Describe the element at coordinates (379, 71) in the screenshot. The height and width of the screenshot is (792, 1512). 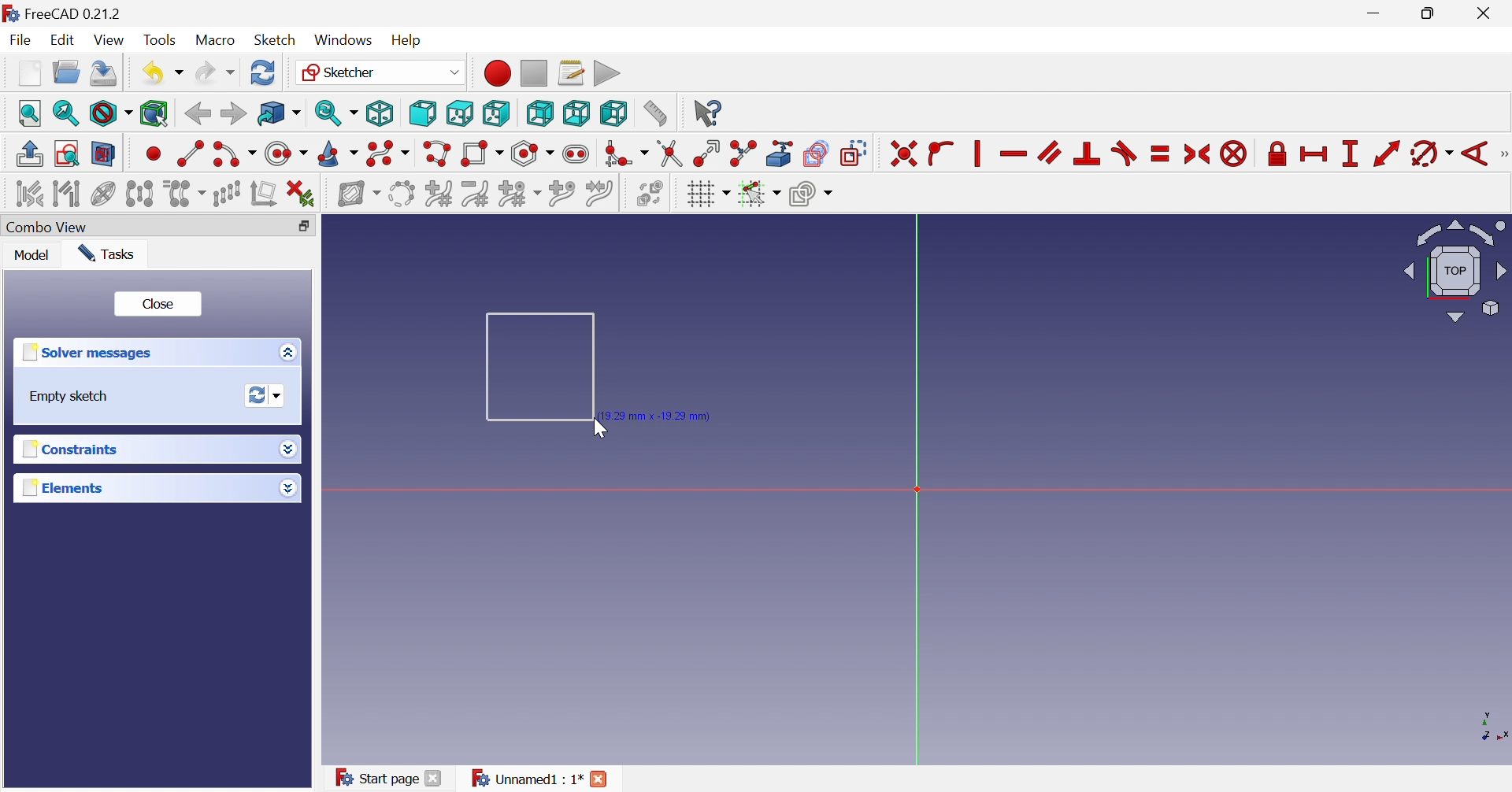
I see `Sketcher` at that location.